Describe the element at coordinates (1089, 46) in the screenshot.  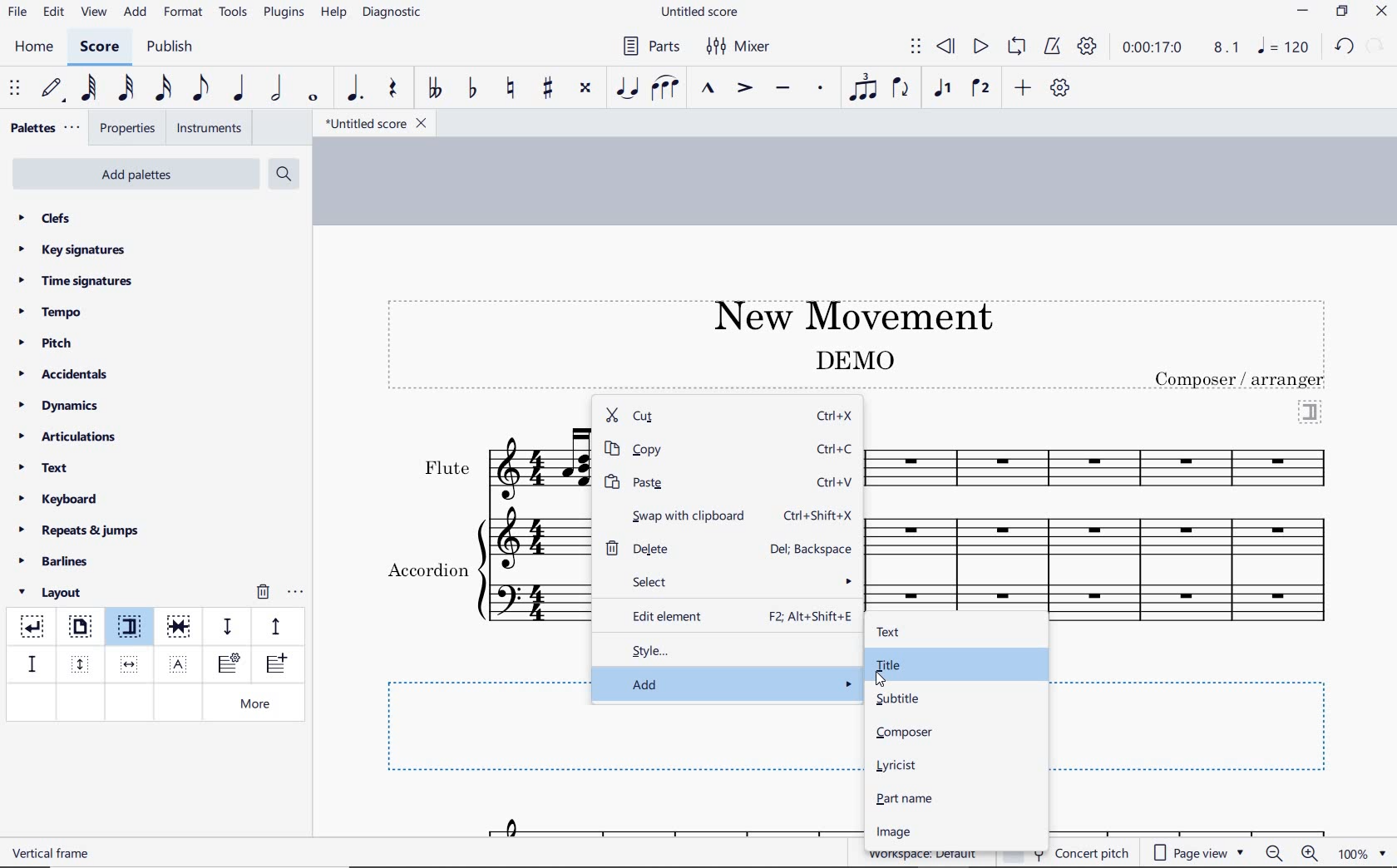
I see `playback settings` at that location.